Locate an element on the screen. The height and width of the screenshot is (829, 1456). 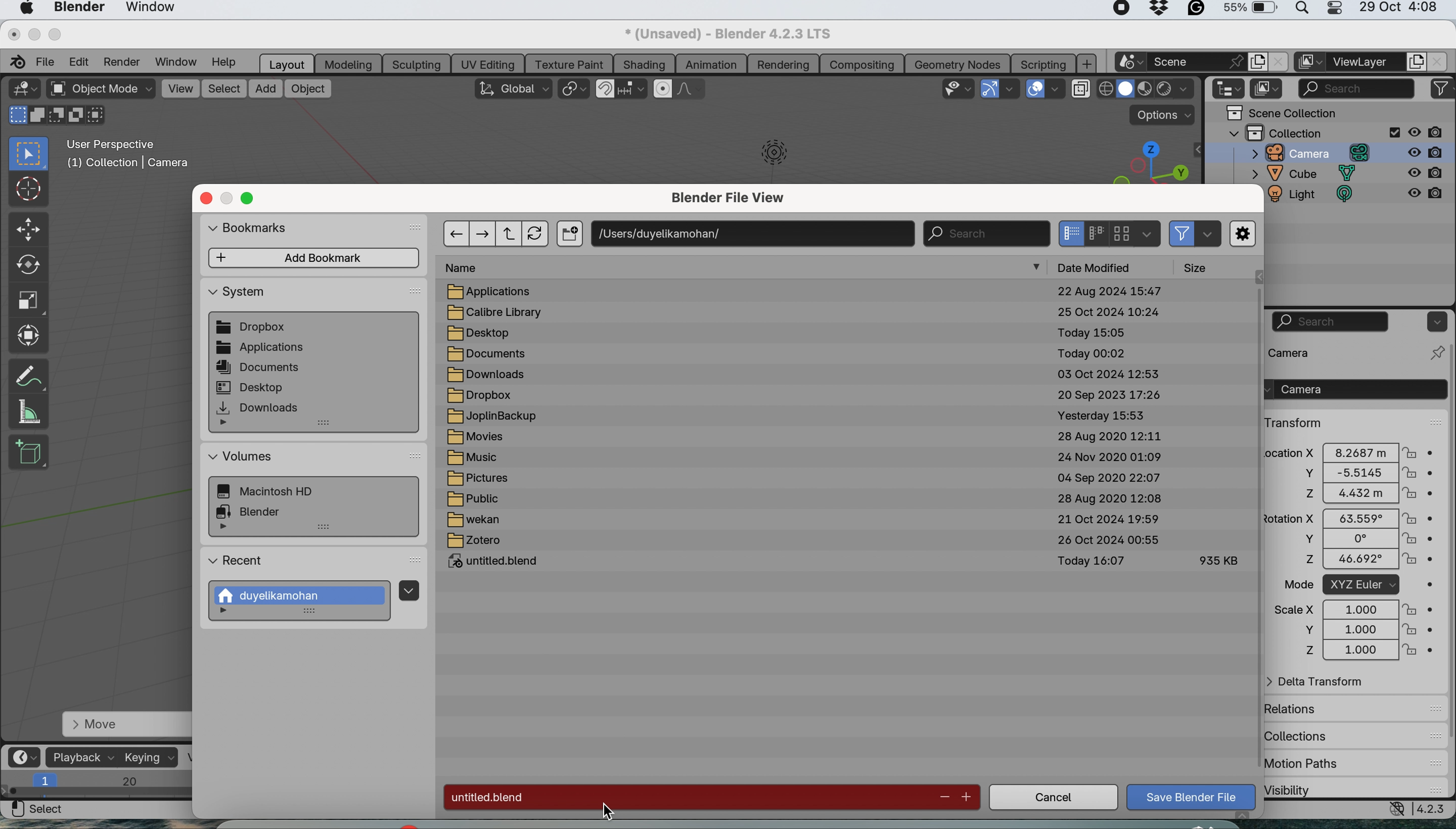
camera is located at coordinates (1354, 389).